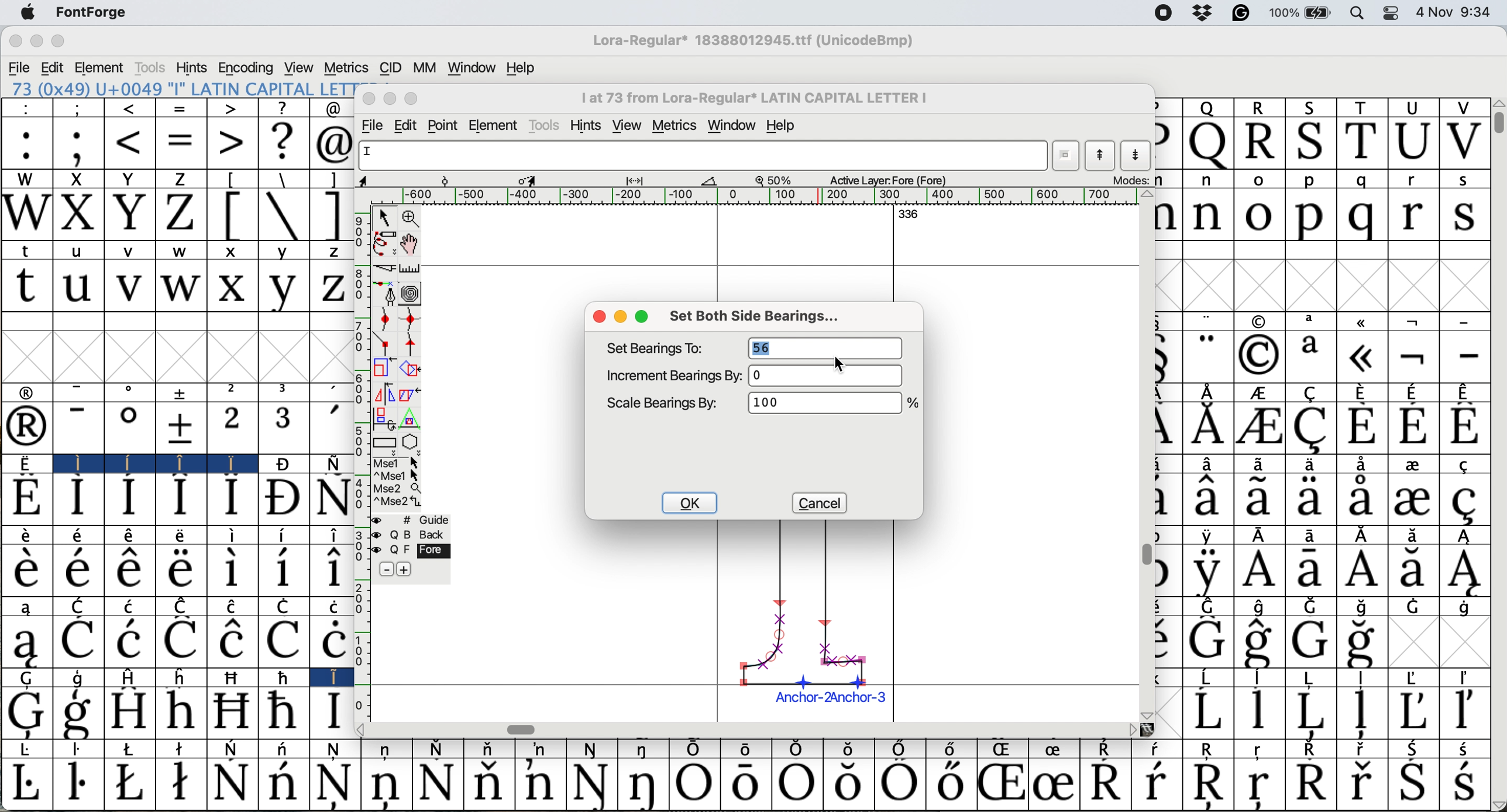 The height and width of the screenshot is (812, 1507). What do you see at coordinates (369, 99) in the screenshot?
I see `close` at bounding box center [369, 99].